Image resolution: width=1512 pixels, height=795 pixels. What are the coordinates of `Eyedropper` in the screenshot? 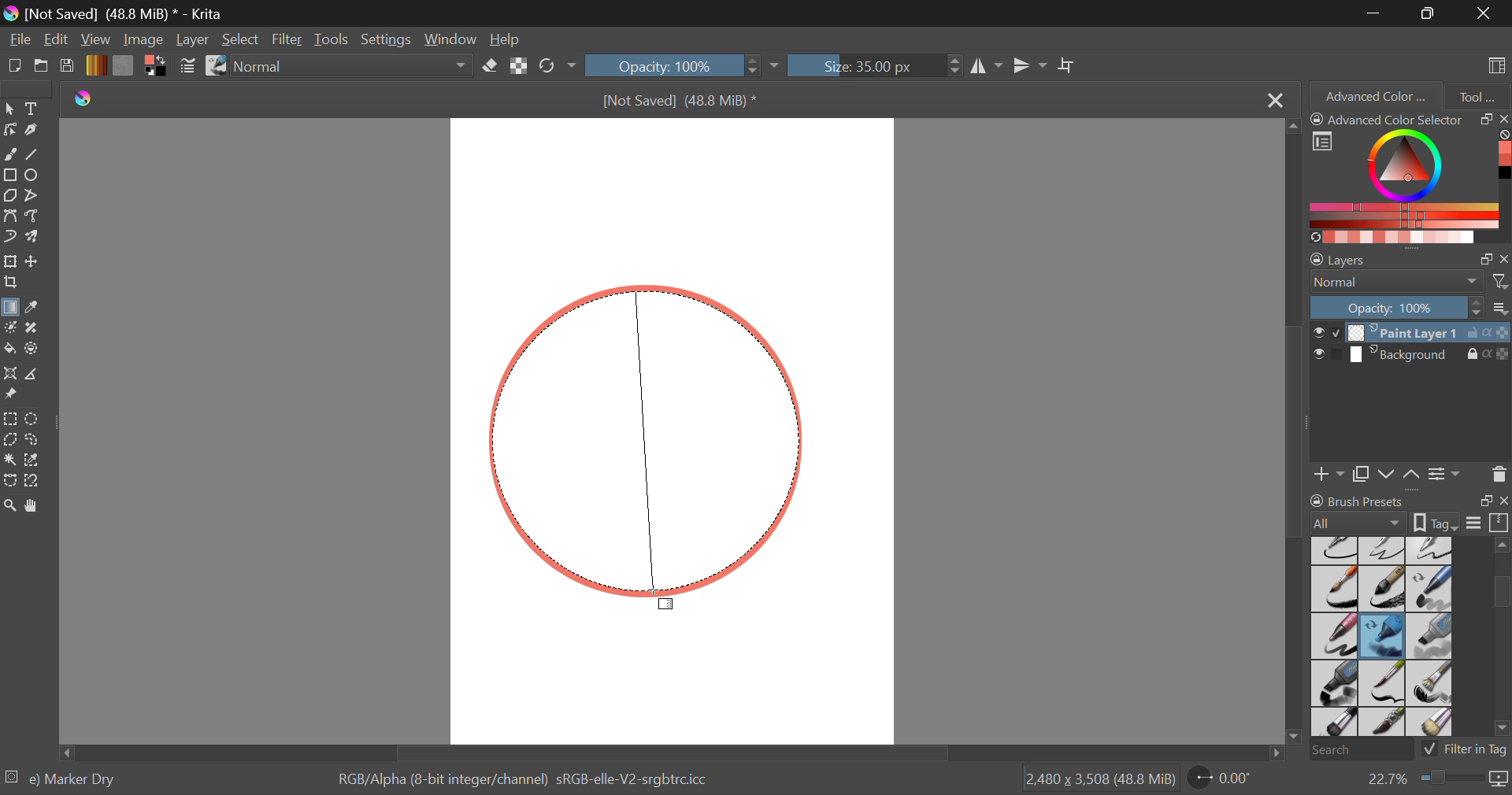 It's located at (36, 308).